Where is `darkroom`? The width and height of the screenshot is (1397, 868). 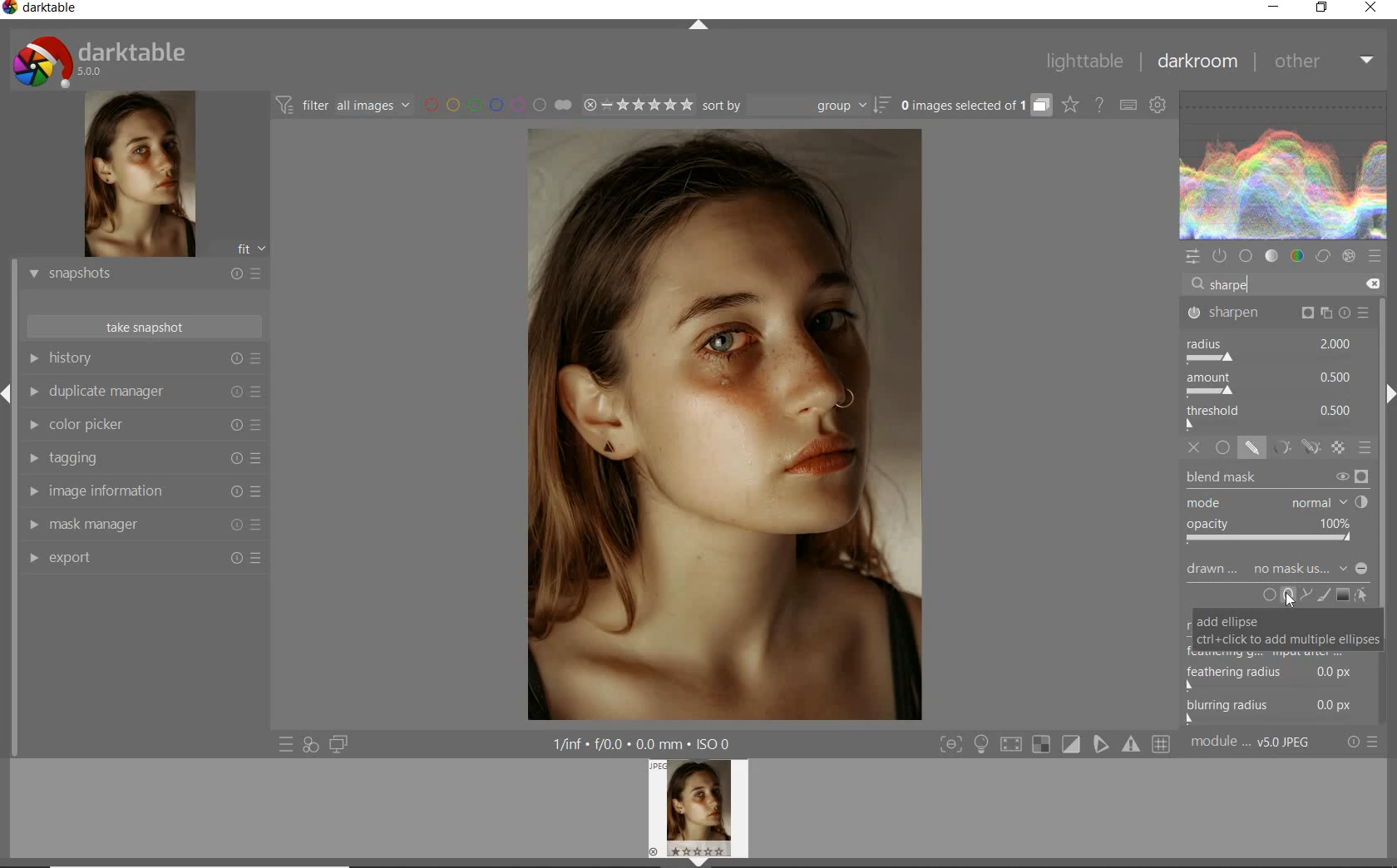 darkroom is located at coordinates (1198, 64).